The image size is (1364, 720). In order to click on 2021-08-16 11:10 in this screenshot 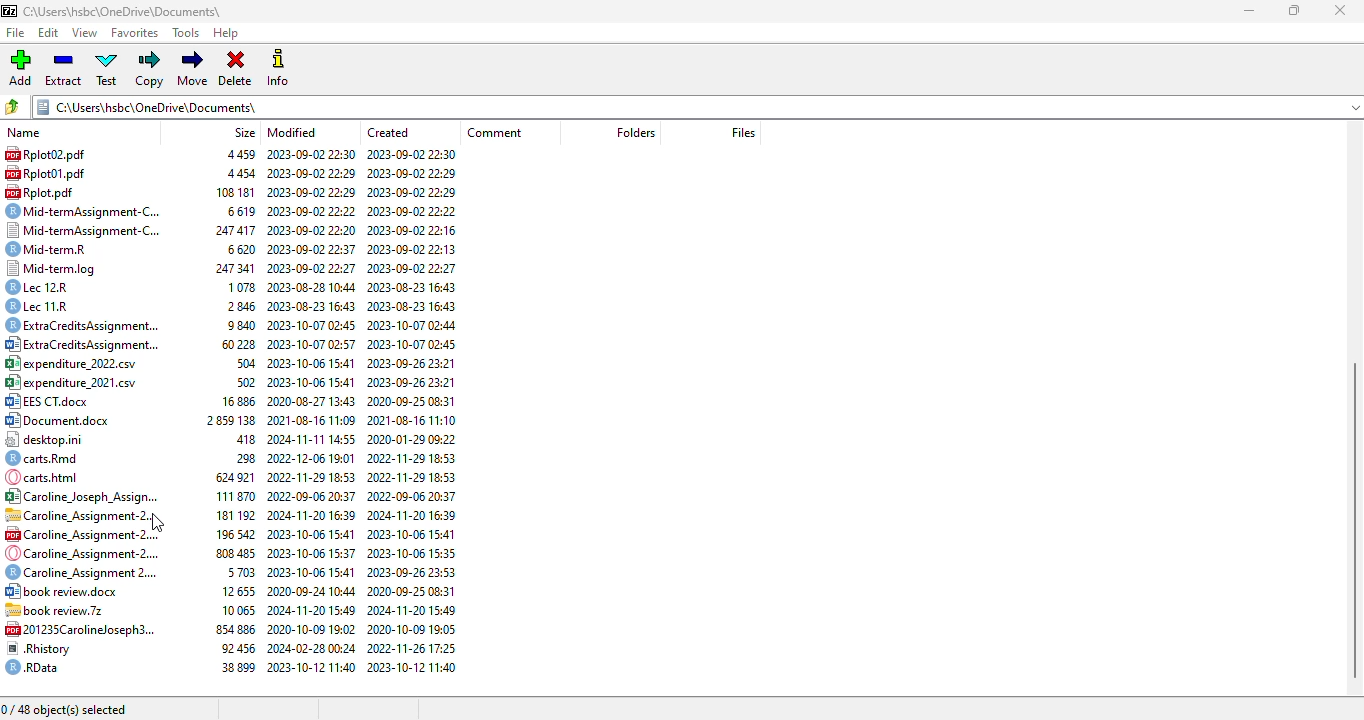, I will do `click(413, 422)`.